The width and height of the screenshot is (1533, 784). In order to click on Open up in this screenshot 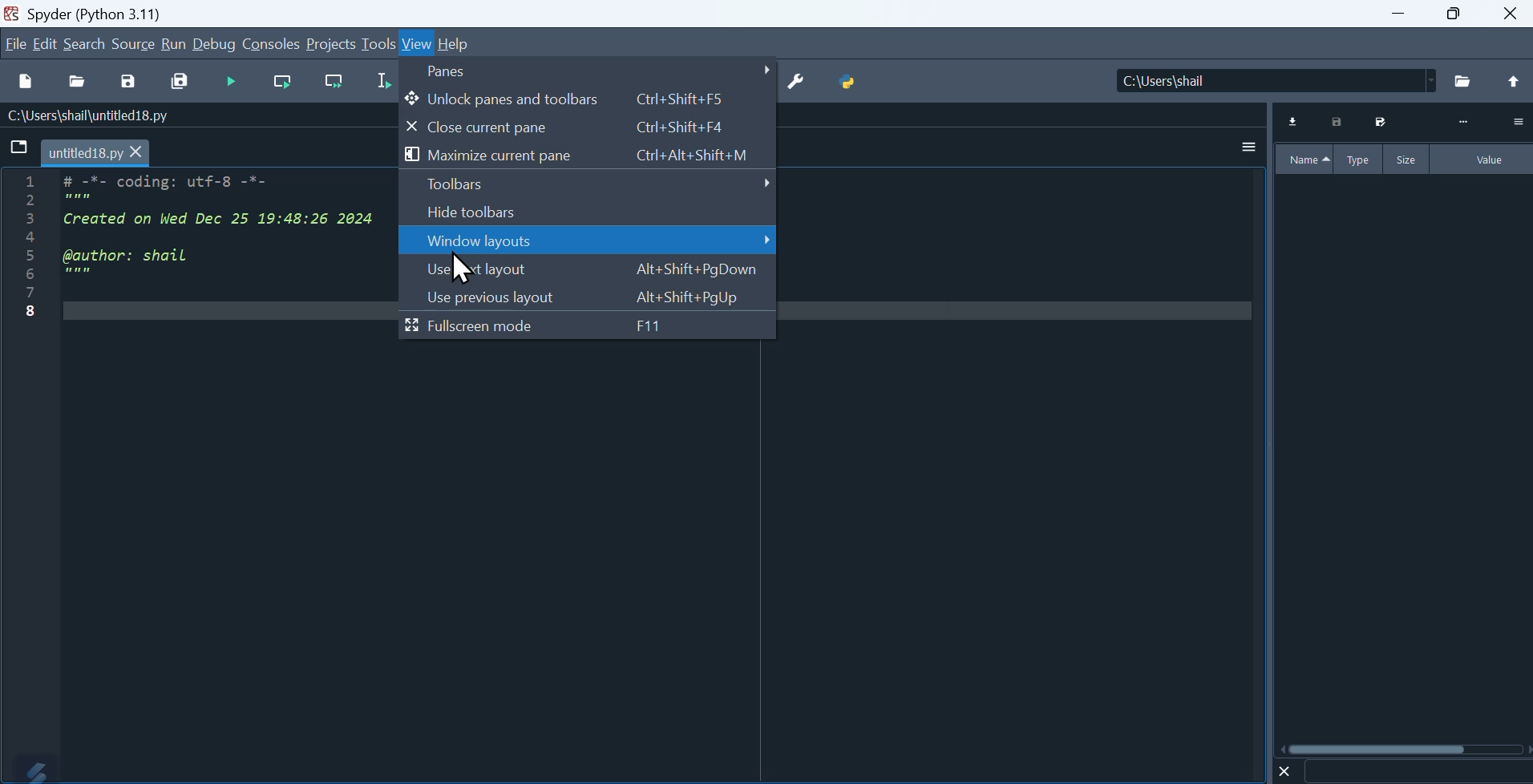, I will do `click(1511, 83)`.